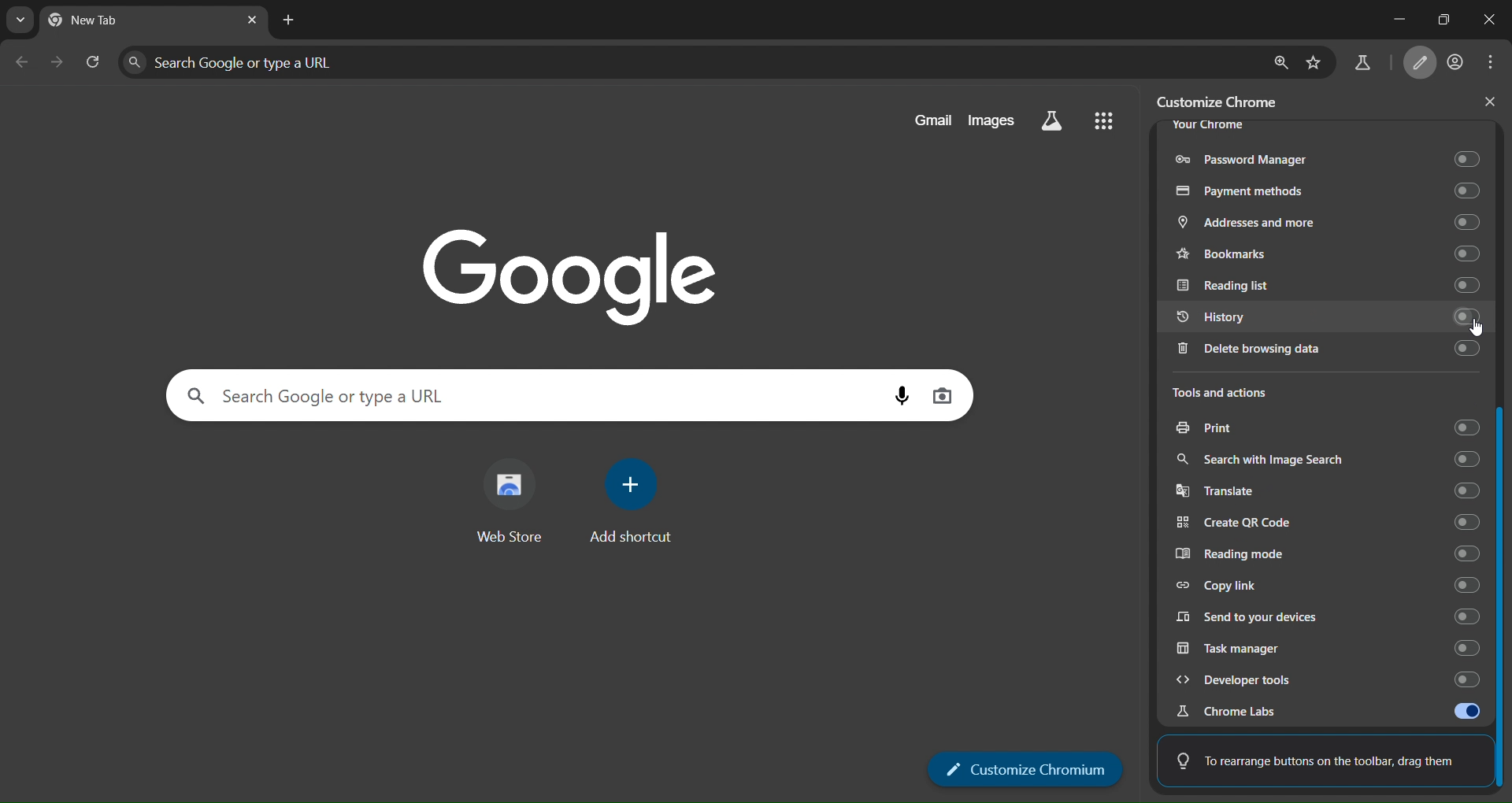 This screenshot has width=1512, height=803. What do you see at coordinates (932, 120) in the screenshot?
I see `gmail` at bounding box center [932, 120].